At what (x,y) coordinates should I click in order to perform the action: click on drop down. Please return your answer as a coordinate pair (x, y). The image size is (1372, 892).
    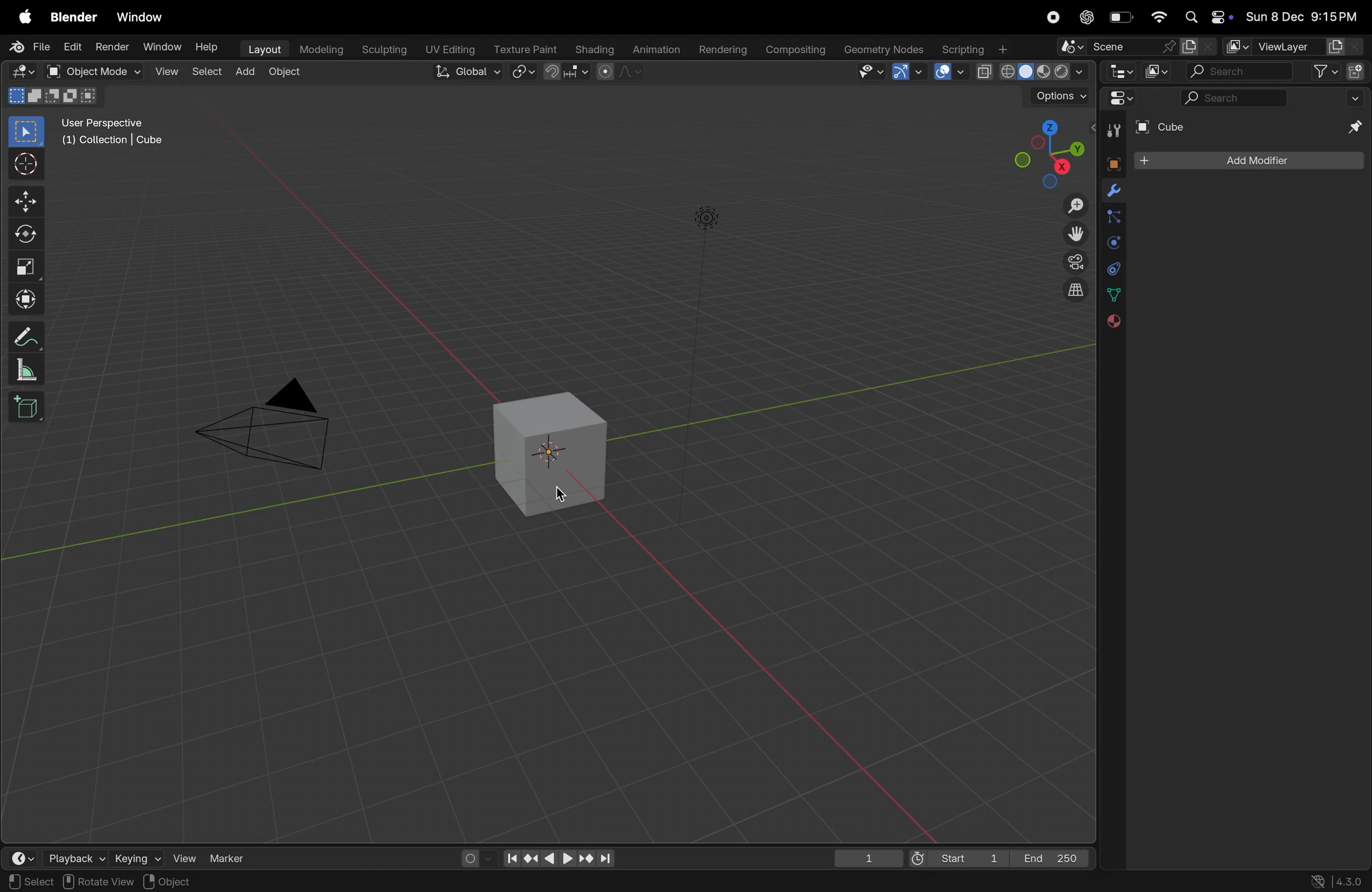
    Looking at the image, I should click on (1358, 97).